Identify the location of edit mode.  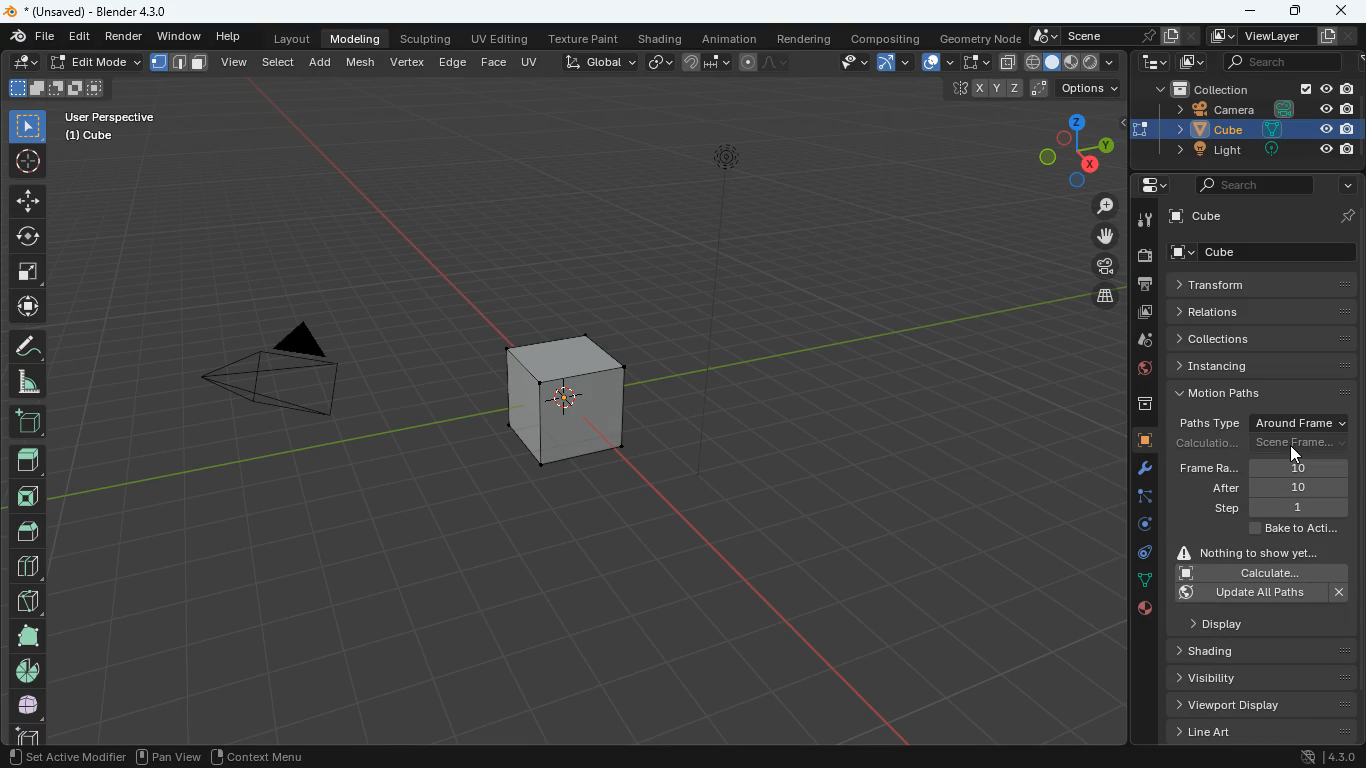
(96, 62).